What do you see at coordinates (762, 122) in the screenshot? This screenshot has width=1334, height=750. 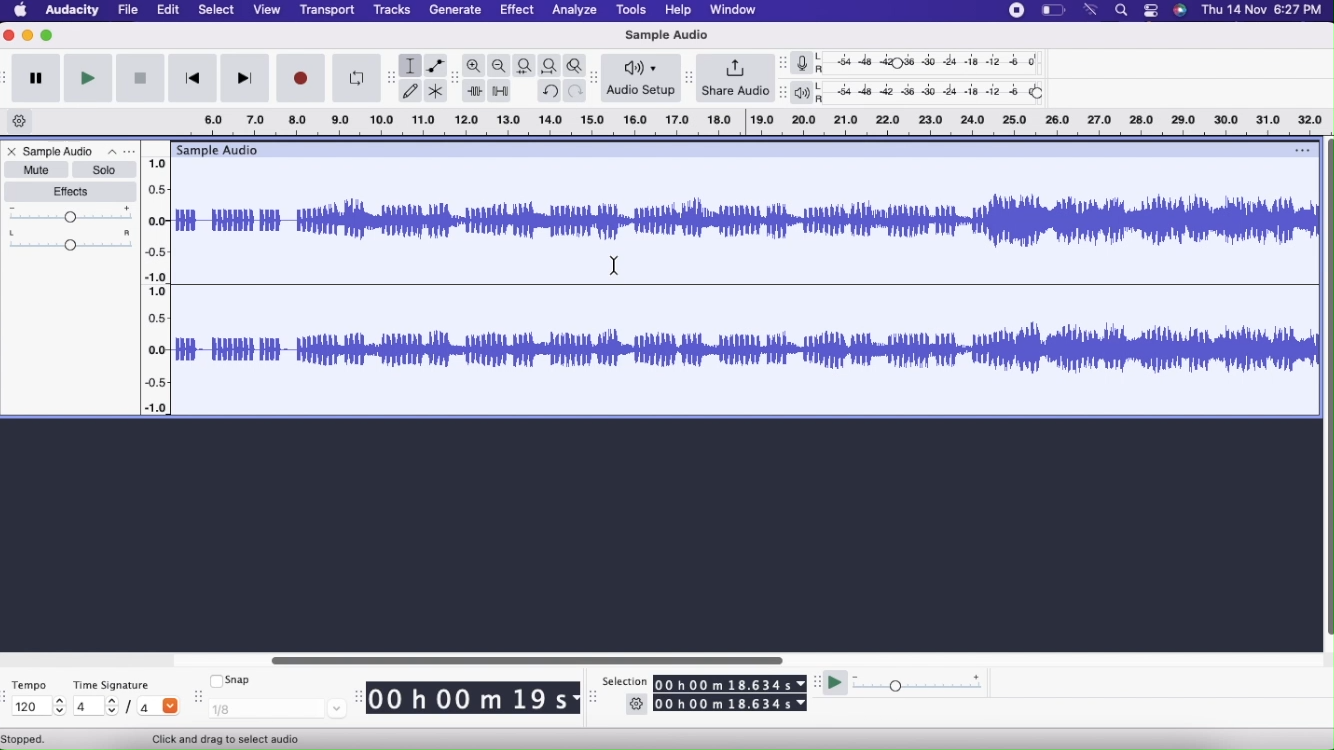 I see `Click and drag to define a looping region` at bounding box center [762, 122].